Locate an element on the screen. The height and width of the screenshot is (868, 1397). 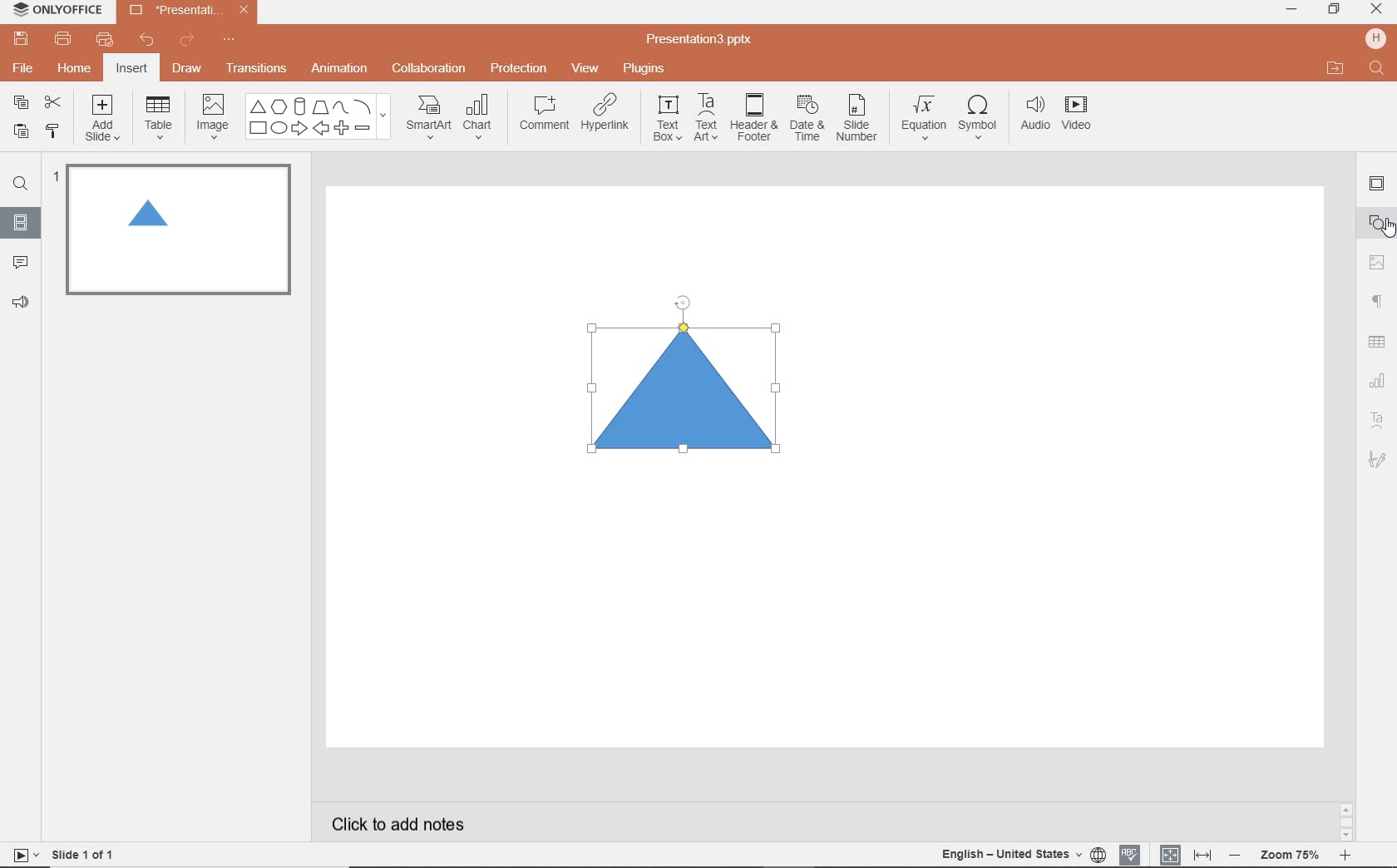
AUDIO is located at coordinates (1031, 115).